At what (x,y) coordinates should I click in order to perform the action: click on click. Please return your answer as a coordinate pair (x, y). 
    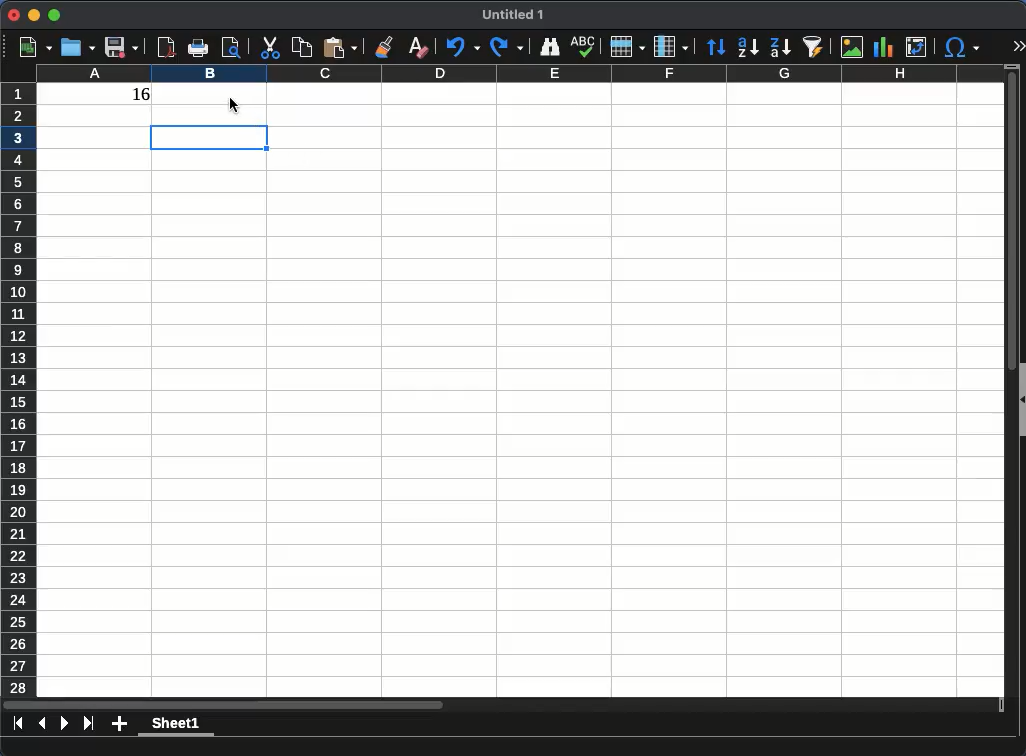
    Looking at the image, I should click on (230, 105).